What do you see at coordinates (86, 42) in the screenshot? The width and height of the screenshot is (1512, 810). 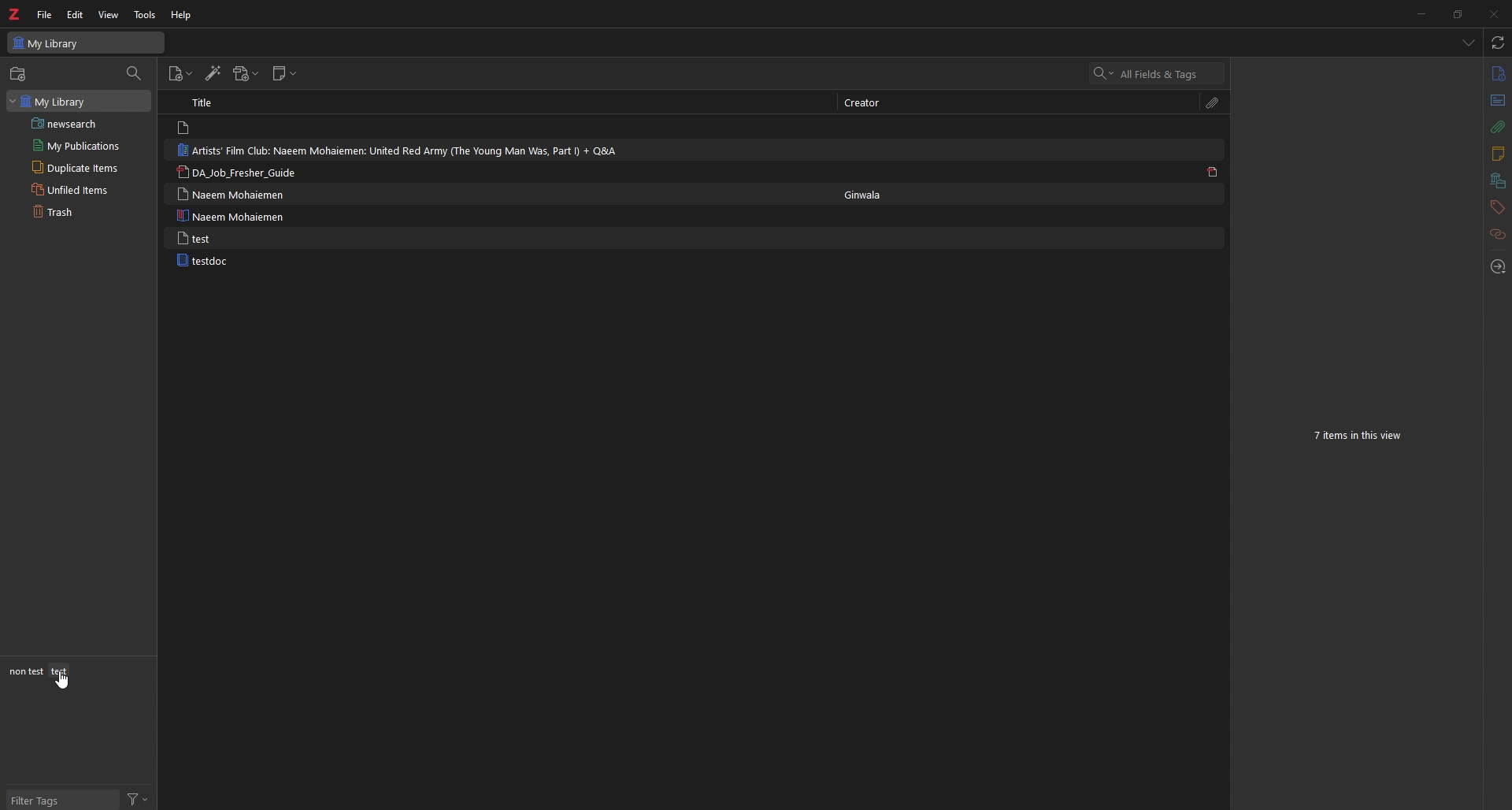 I see `my library` at bounding box center [86, 42].